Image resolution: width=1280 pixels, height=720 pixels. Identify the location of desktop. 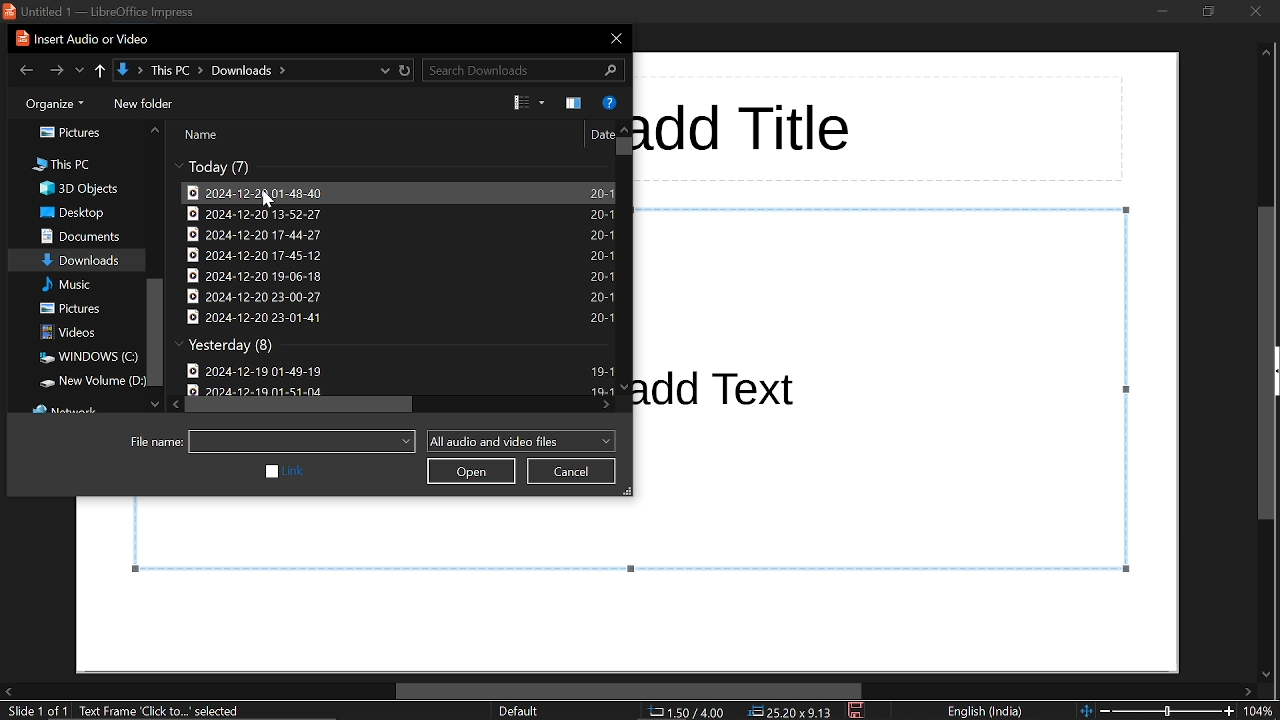
(75, 214).